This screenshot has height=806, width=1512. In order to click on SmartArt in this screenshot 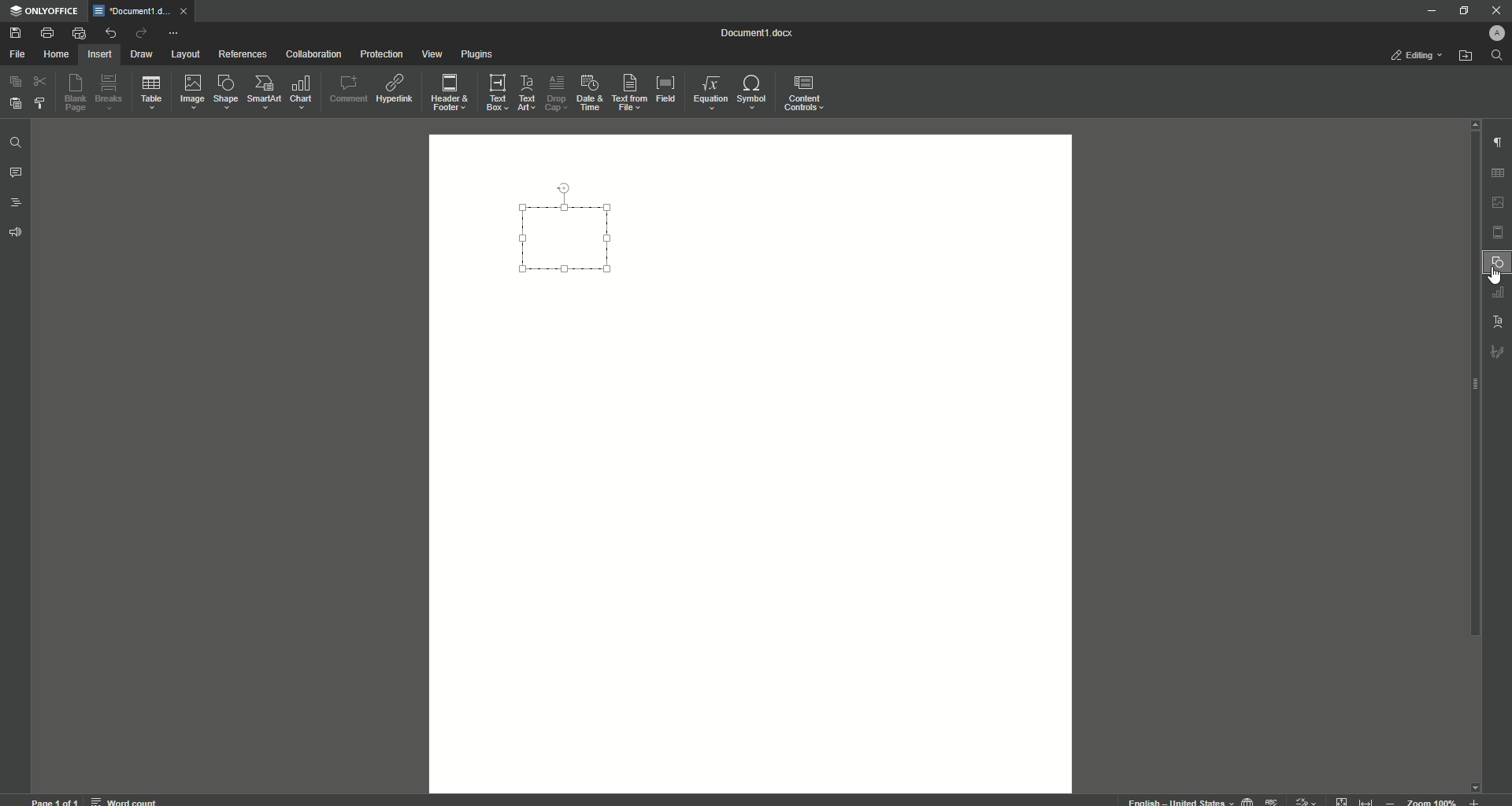, I will do `click(264, 92)`.